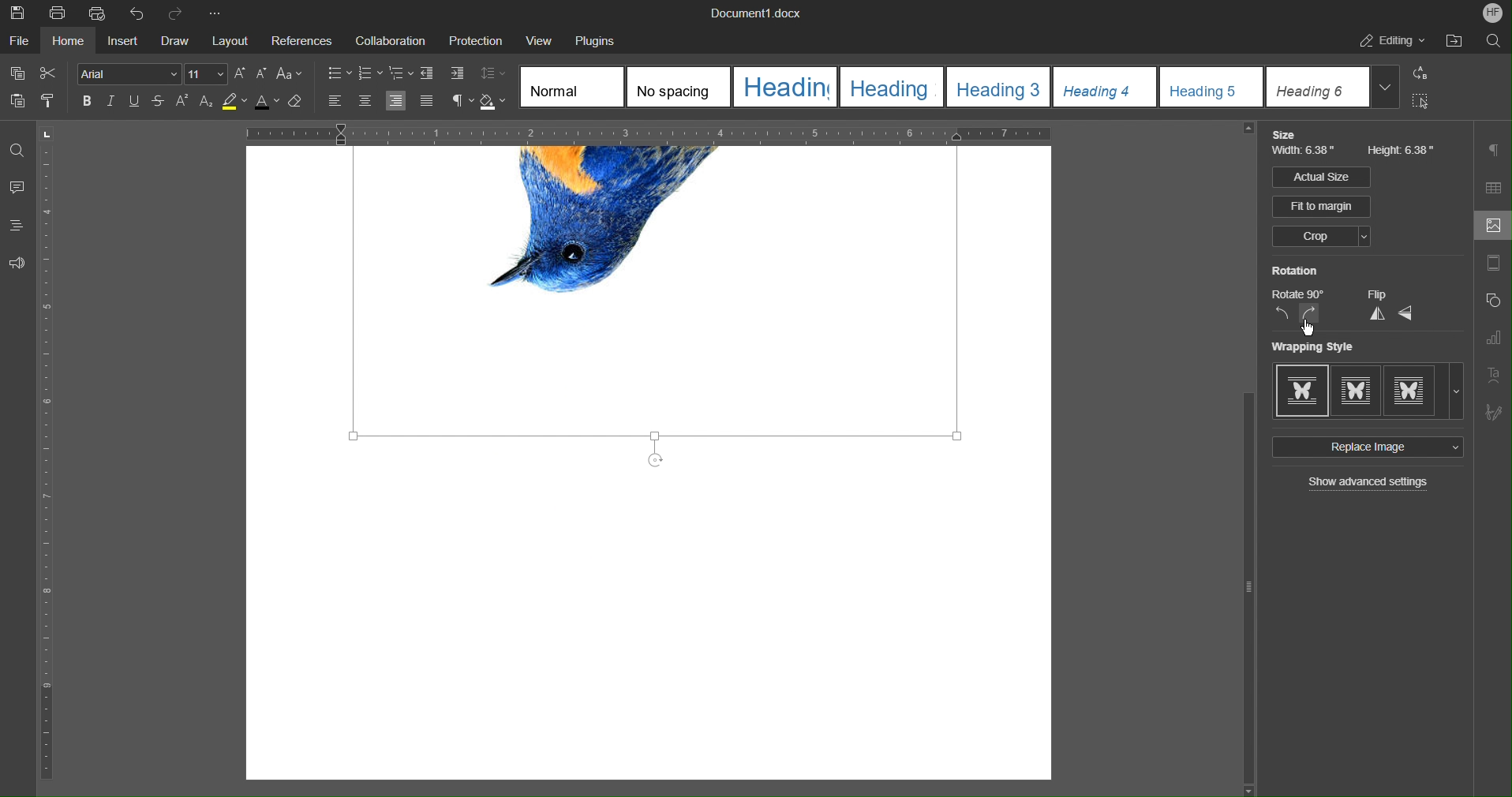  Describe the element at coordinates (462, 101) in the screenshot. I see `Nonprinting characters` at that location.